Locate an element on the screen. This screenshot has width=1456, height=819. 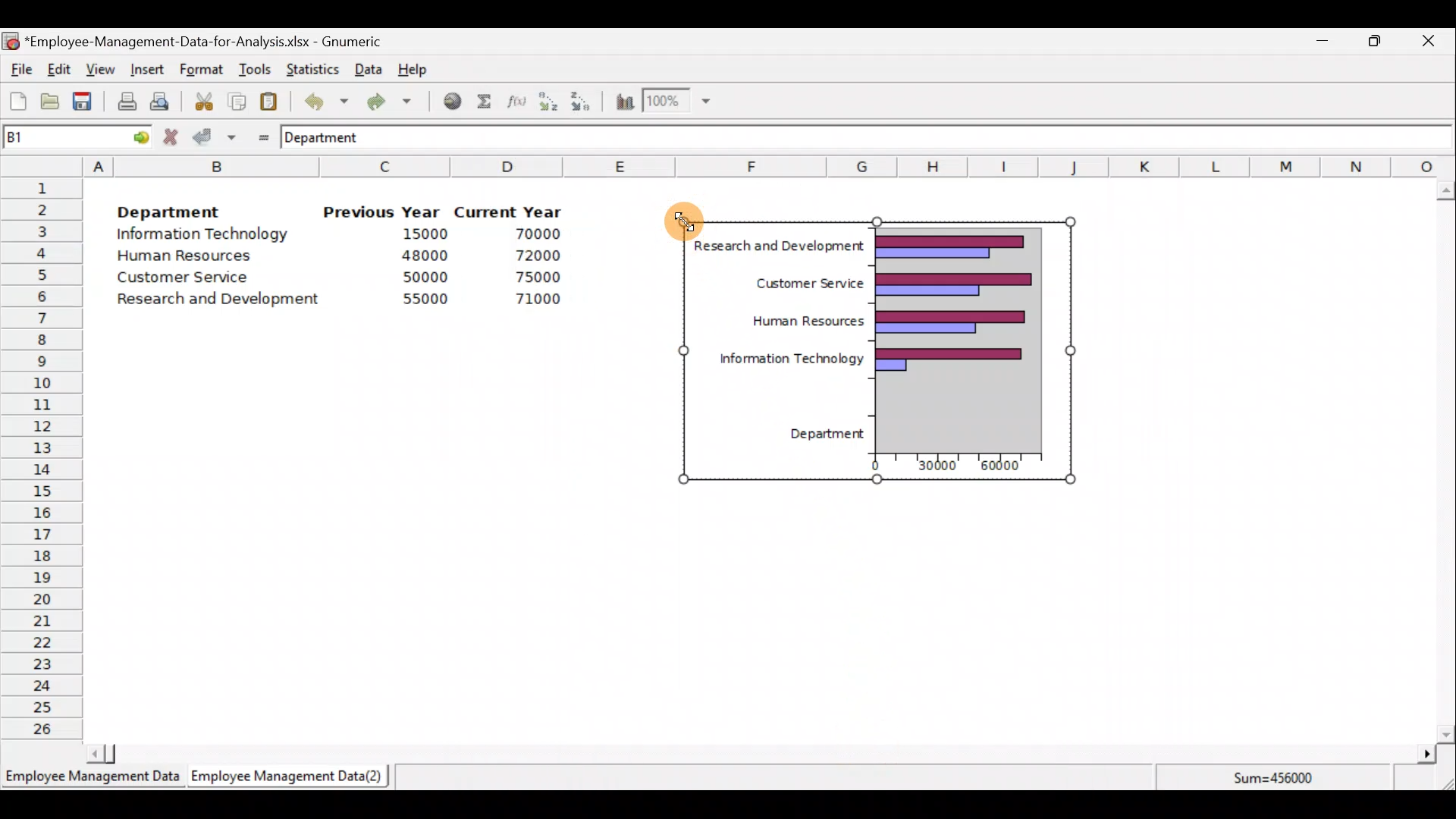
Employee Management Data is located at coordinates (91, 781).